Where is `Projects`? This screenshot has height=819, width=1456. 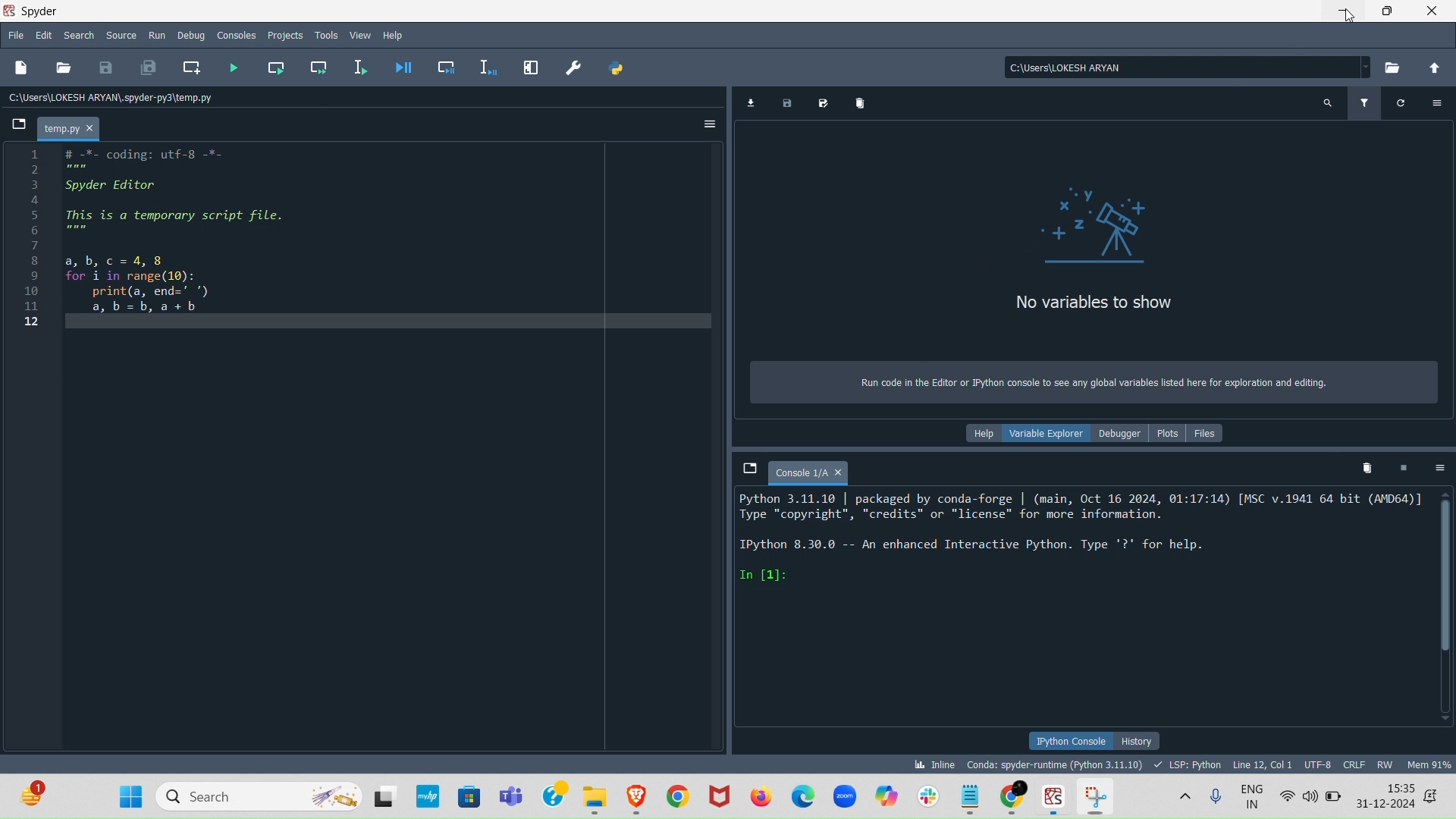
Projects is located at coordinates (283, 33).